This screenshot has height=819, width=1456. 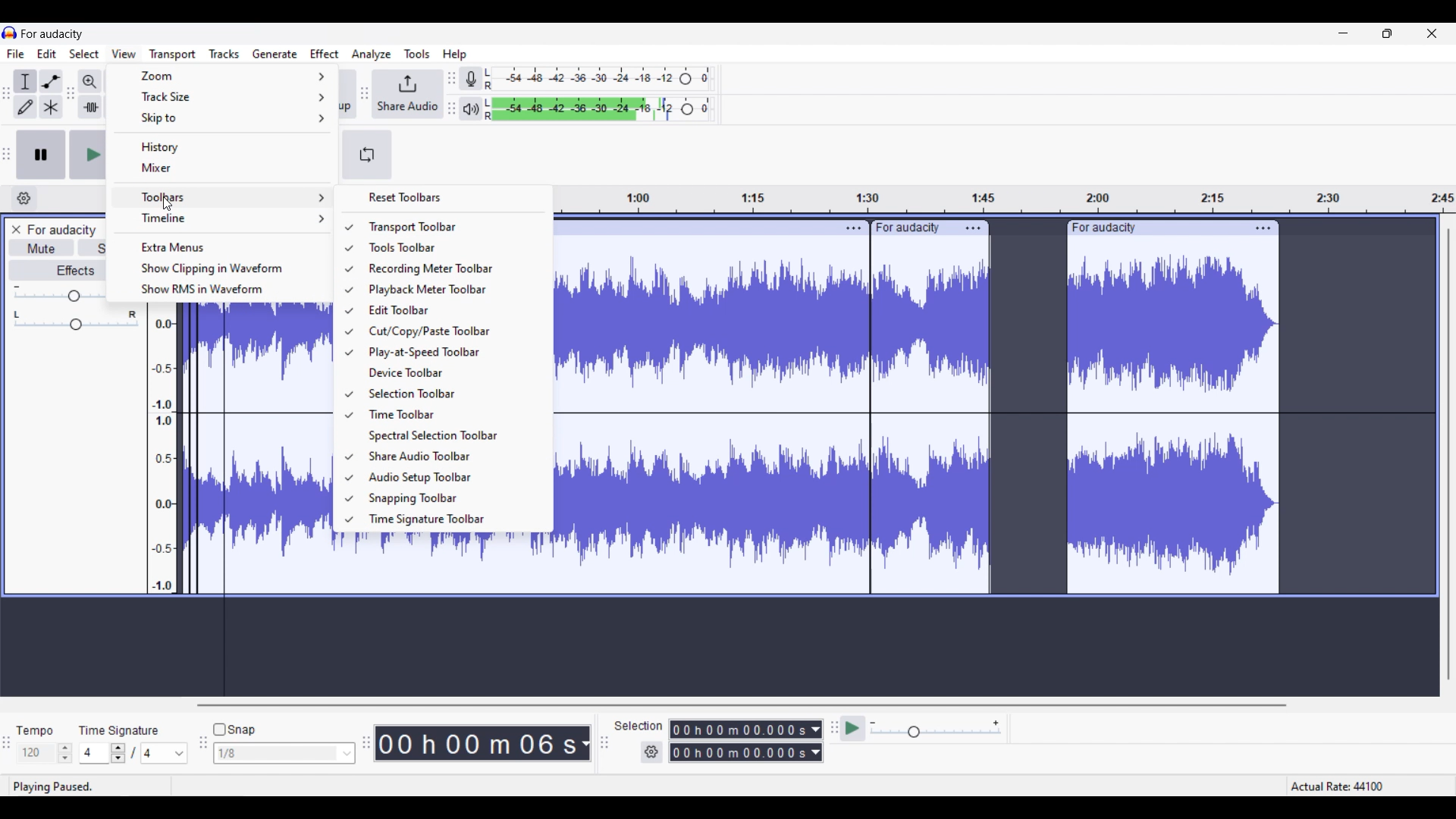 I want to click on Tracks menu, so click(x=224, y=55).